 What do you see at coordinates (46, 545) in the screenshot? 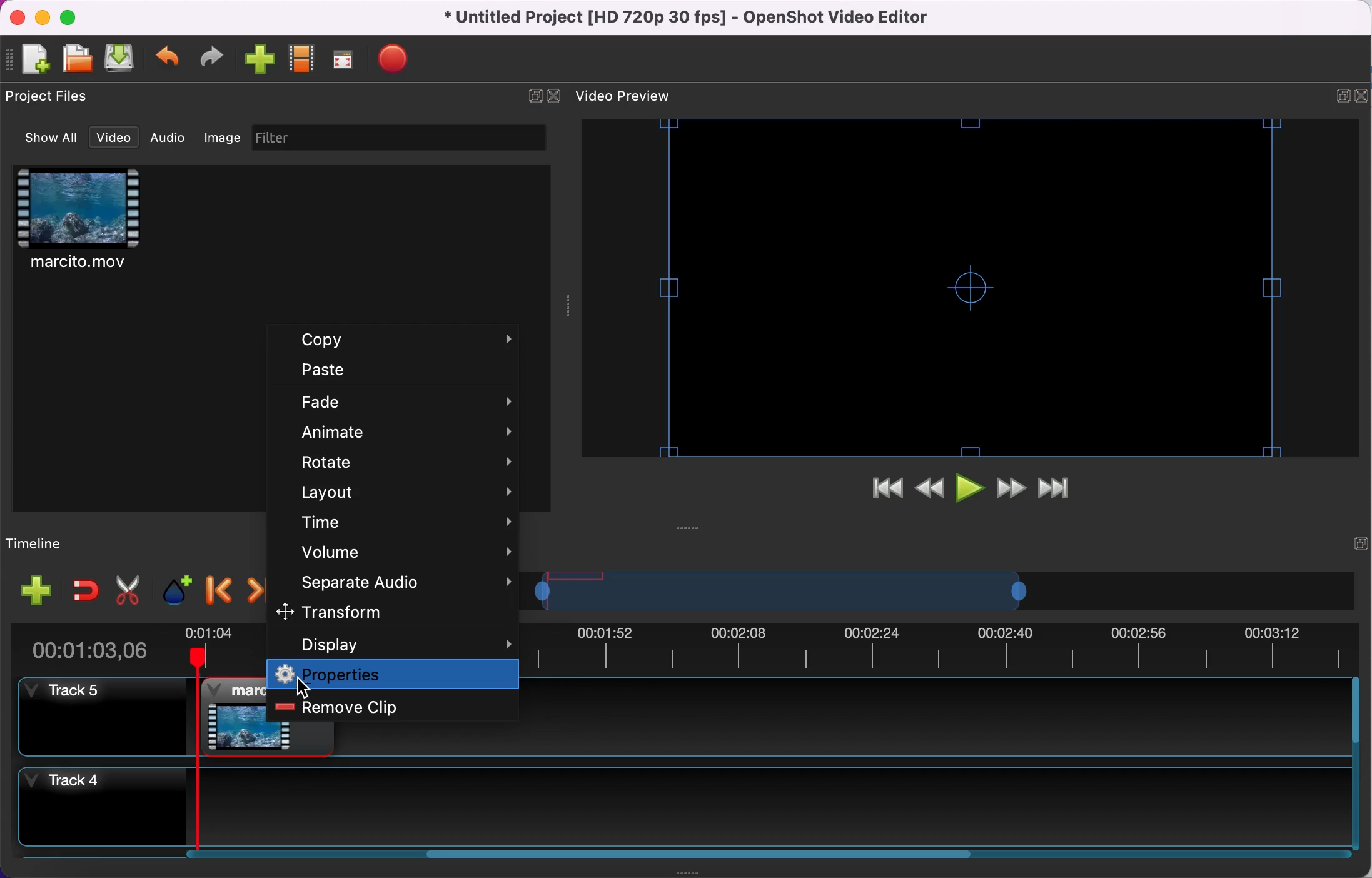
I see `timeline` at bounding box center [46, 545].